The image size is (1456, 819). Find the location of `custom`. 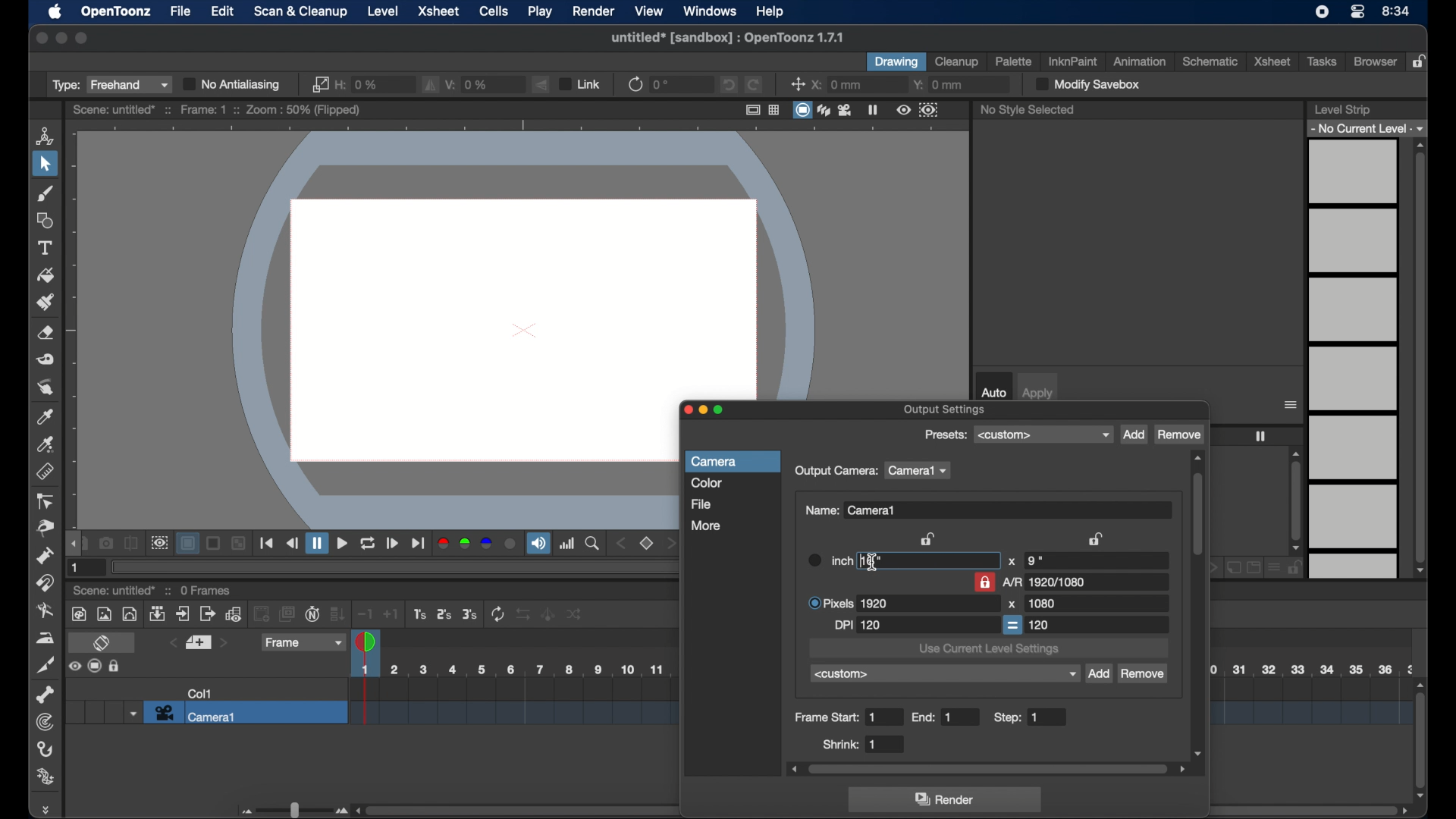

custom is located at coordinates (945, 674).